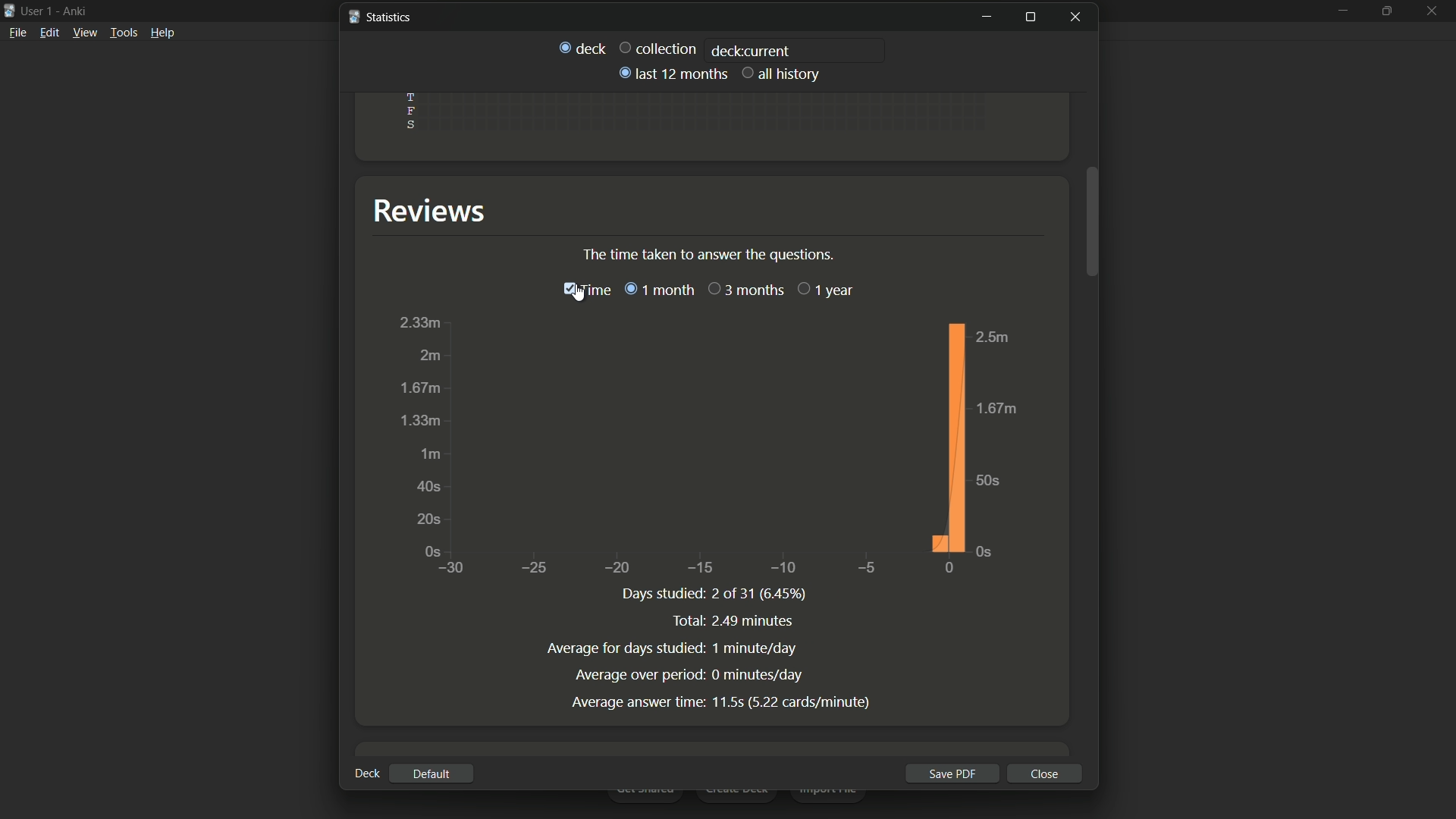 The image size is (1456, 819). Describe the element at coordinates (758, 676) in the screenshot. I see `0 minutes per day` at that location.